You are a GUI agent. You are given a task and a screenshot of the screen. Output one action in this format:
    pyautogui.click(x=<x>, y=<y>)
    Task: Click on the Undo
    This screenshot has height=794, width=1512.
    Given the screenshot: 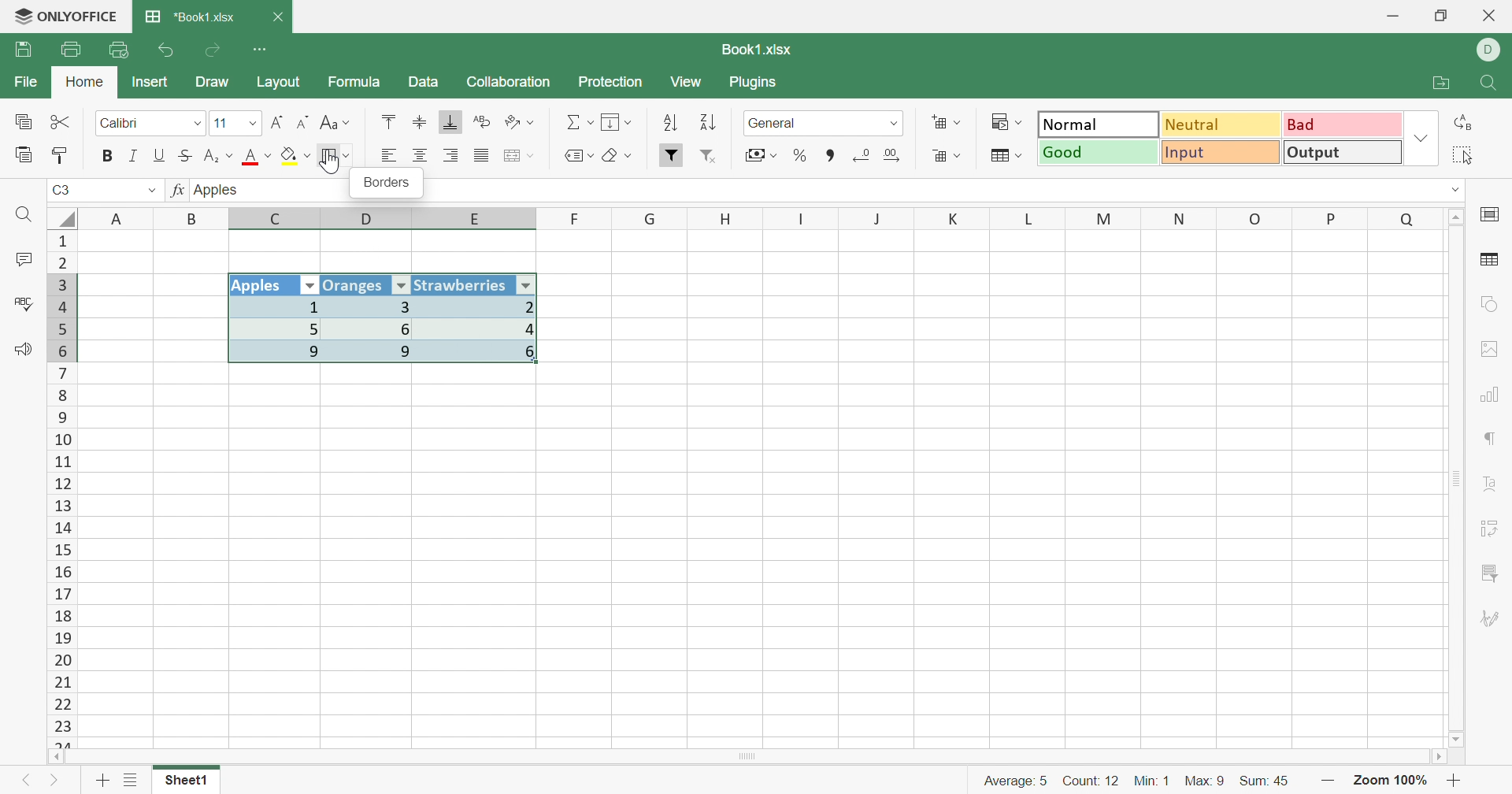 What is the action you would take?
    pyautogui.click(x=167, y=50)
    